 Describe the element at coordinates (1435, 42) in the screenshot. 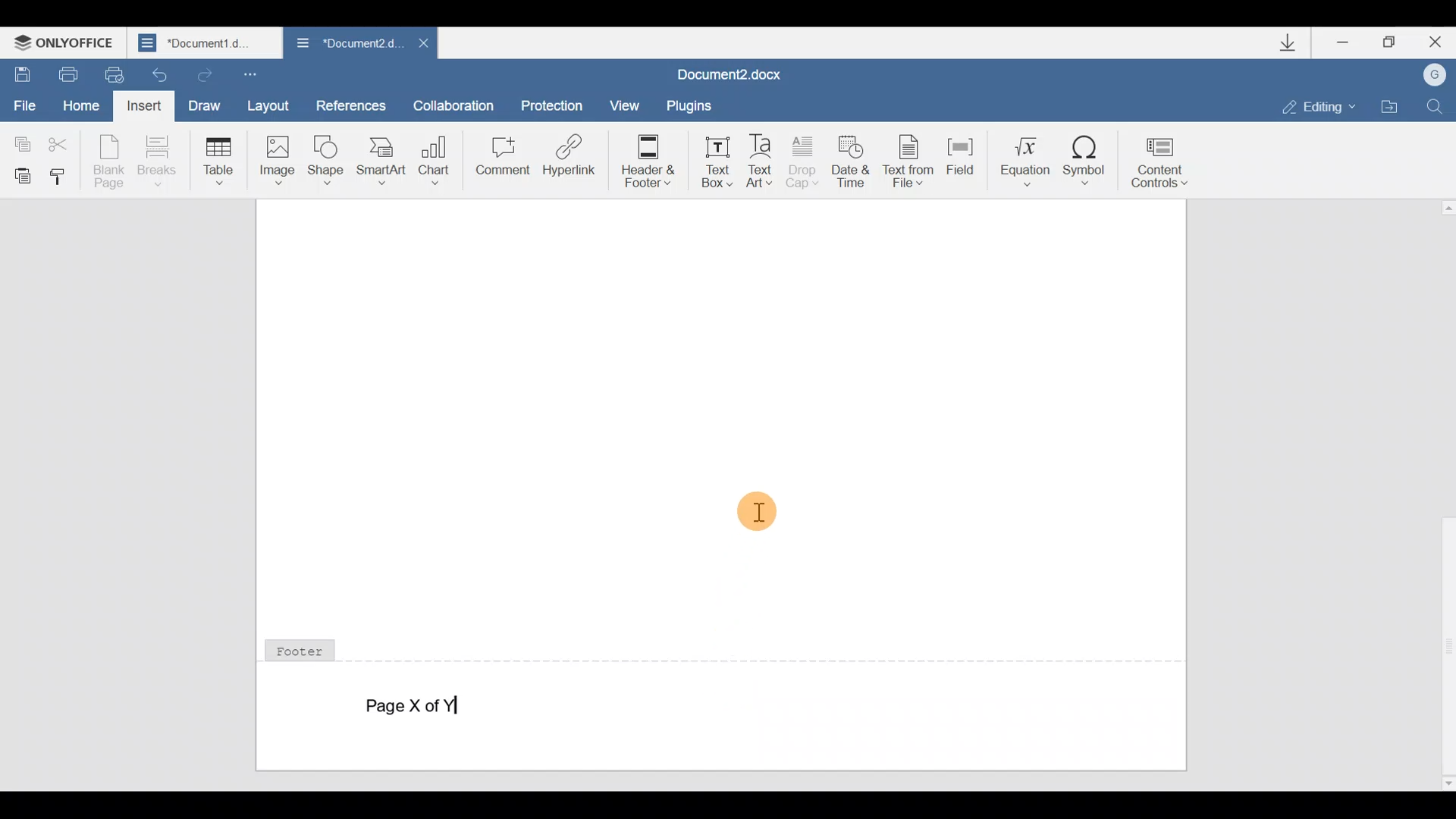

I see `Close` at that location.